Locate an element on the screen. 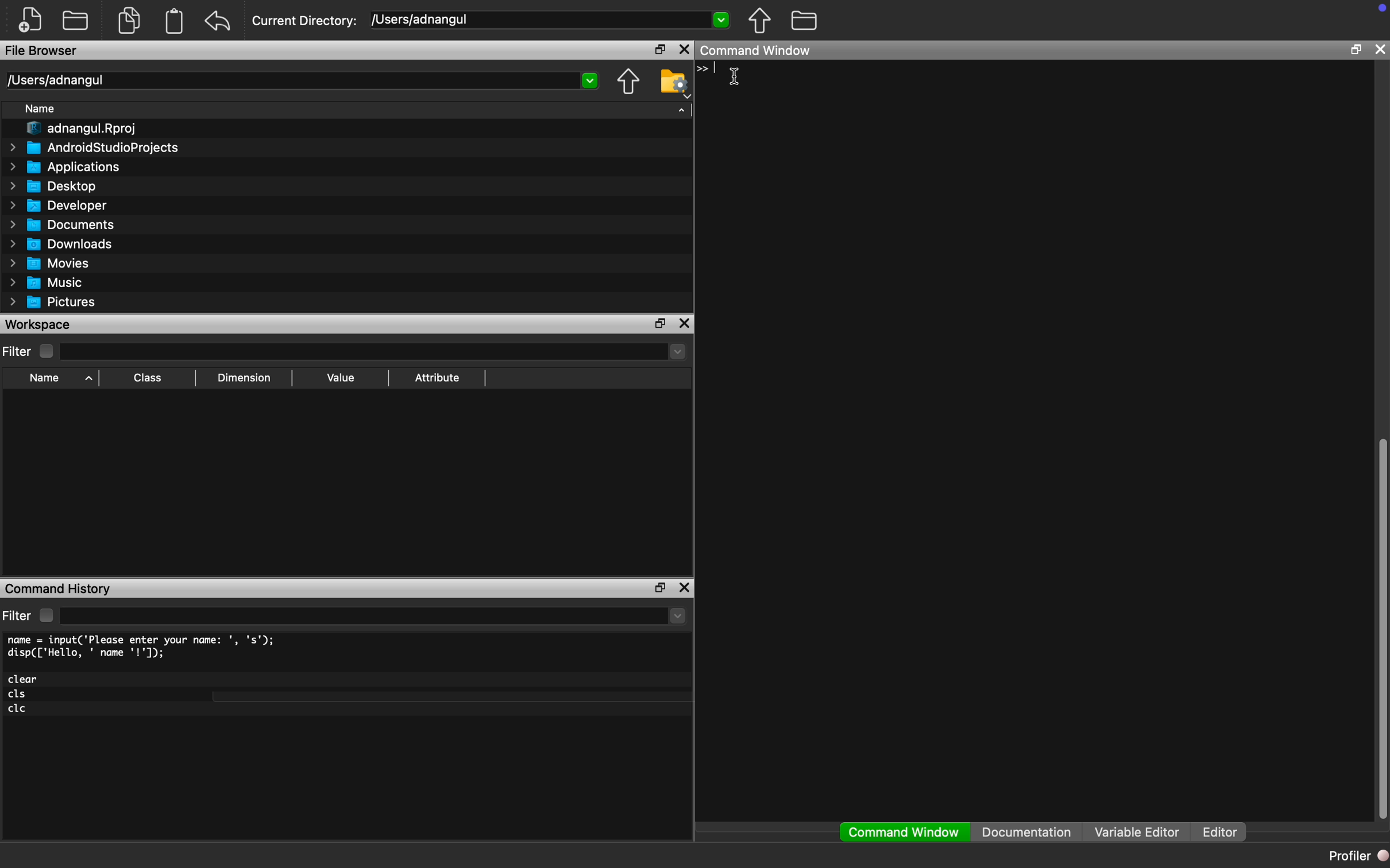 The height and width of the screenshot is (868, 1390). icon is located at coordinates (703, 69).